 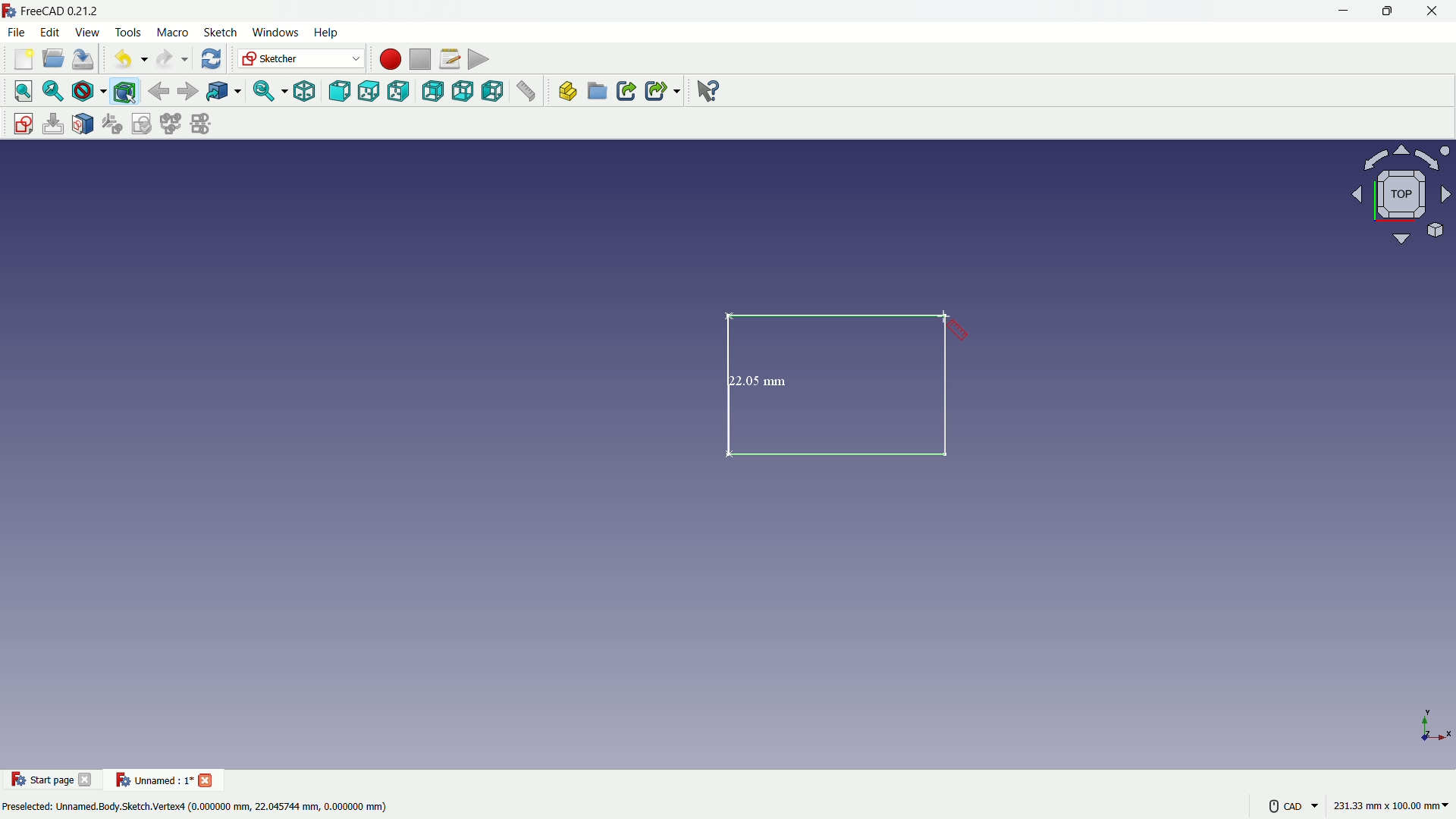 What do you see at coordinates (598, 93) in the screenshot?
I see `create group` at bounding box center [598, 93].